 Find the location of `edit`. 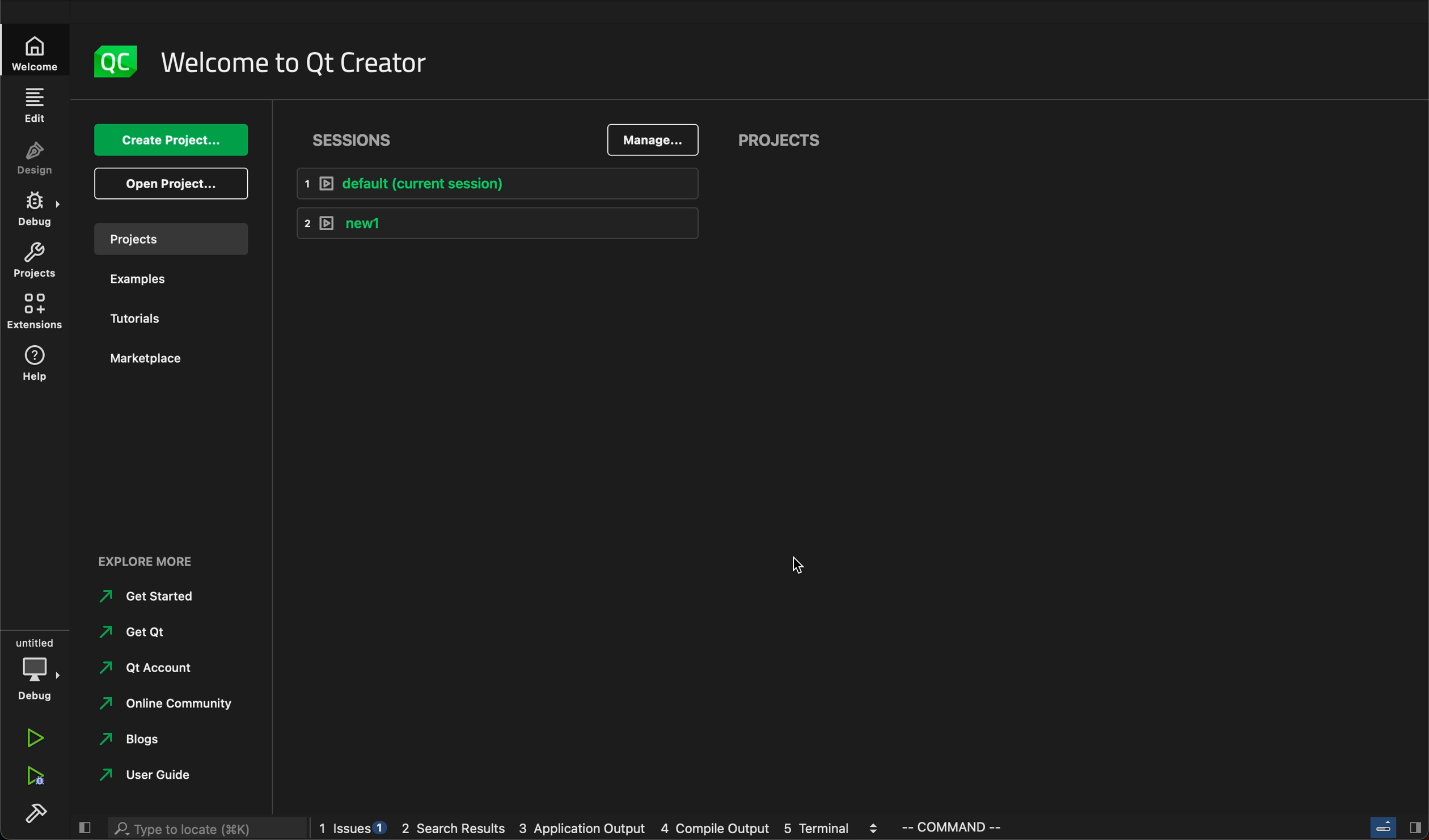

edit is located at coordinates (36, 106).